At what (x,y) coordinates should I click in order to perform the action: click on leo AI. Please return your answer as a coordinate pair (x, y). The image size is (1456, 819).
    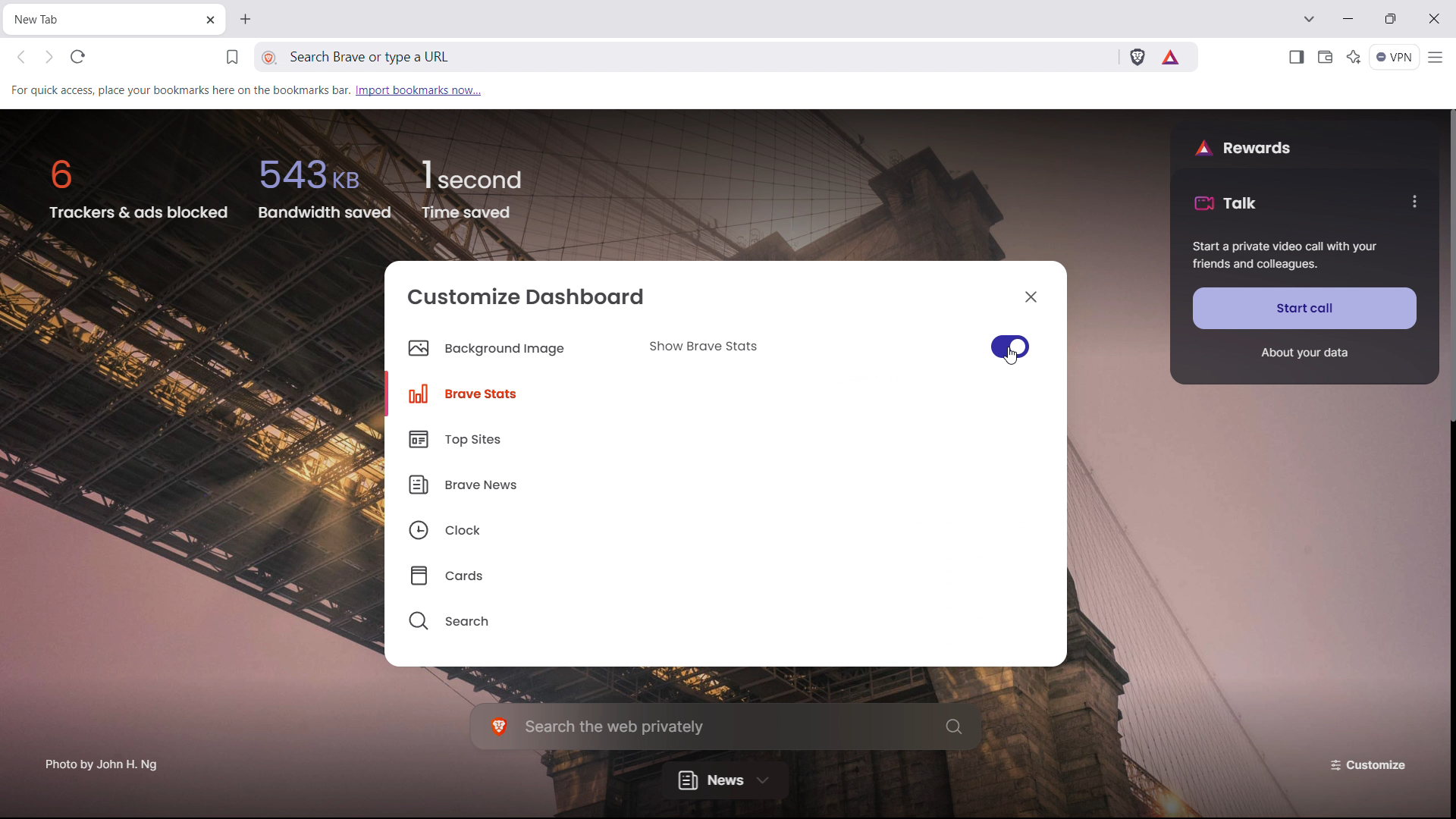
    Looking at the image, I should click on (1354, 57).